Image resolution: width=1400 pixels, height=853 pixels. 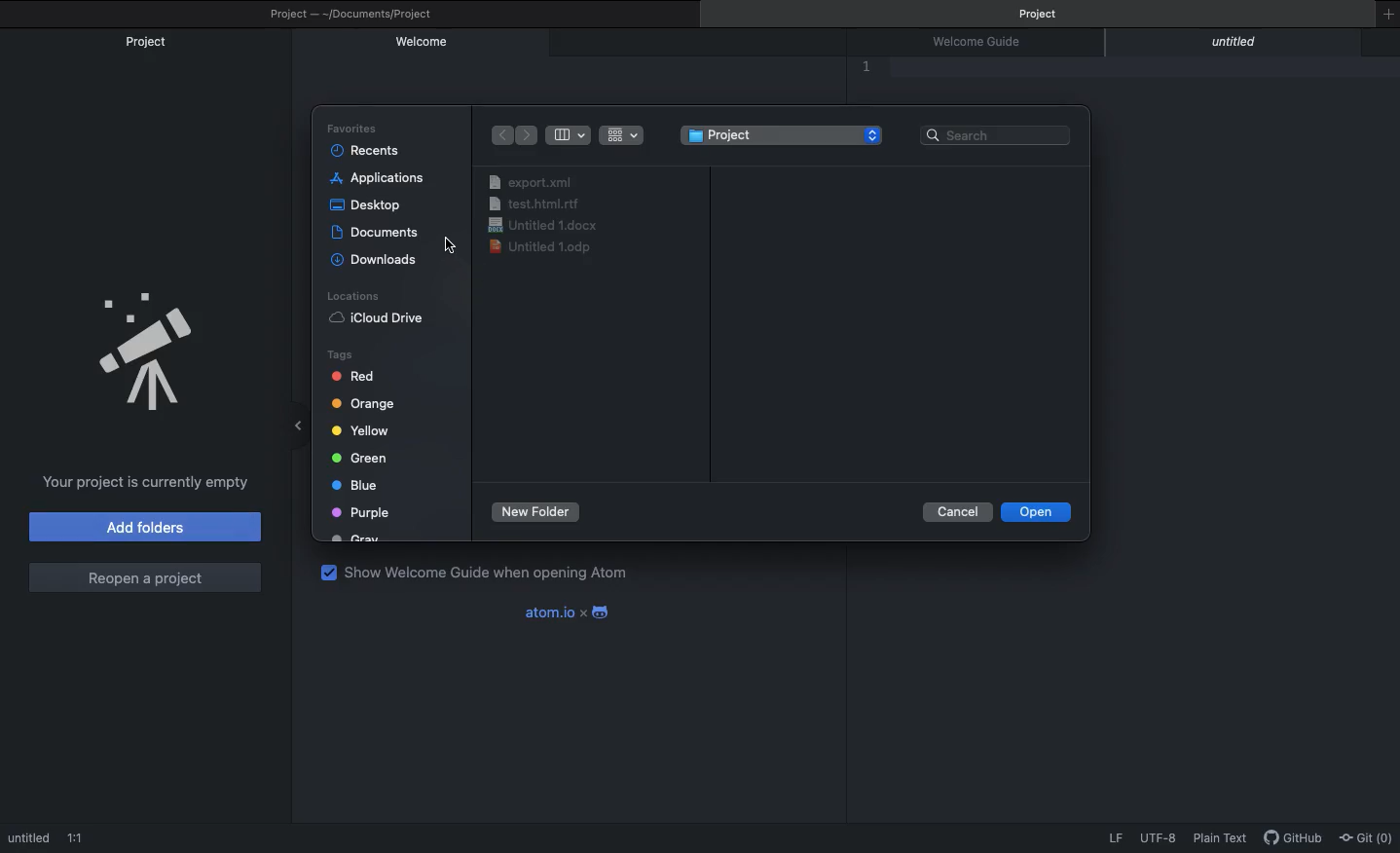 What do you see at coordinates (546, 247) in the screenshot?
I see `B® Untitled 1.0dp` at bounding box center [546, 247].